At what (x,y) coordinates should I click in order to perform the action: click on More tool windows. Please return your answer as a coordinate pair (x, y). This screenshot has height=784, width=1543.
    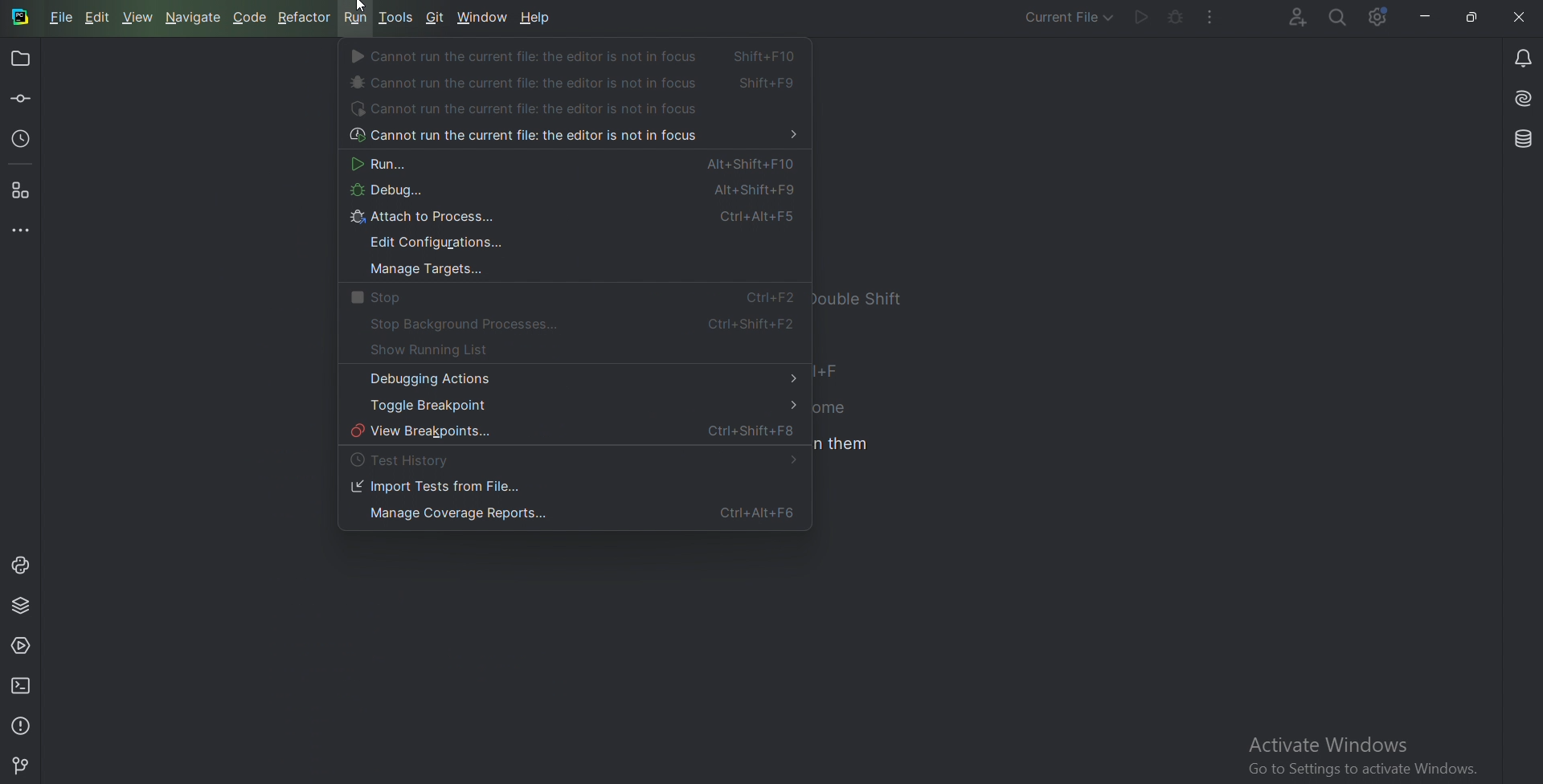
    Looking at the image, I should click on (22, 231).